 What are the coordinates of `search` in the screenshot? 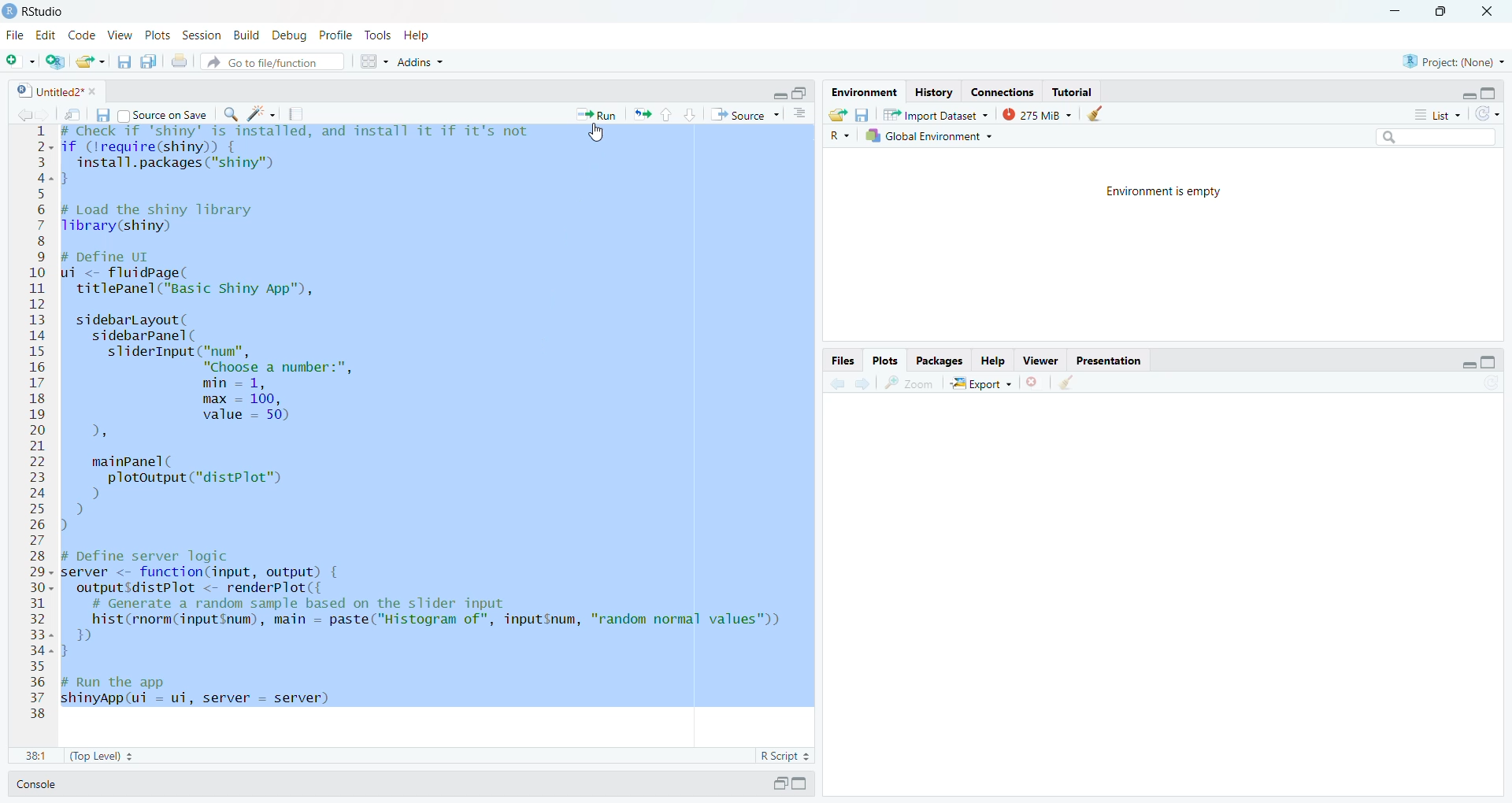 It's located at (230, 115).